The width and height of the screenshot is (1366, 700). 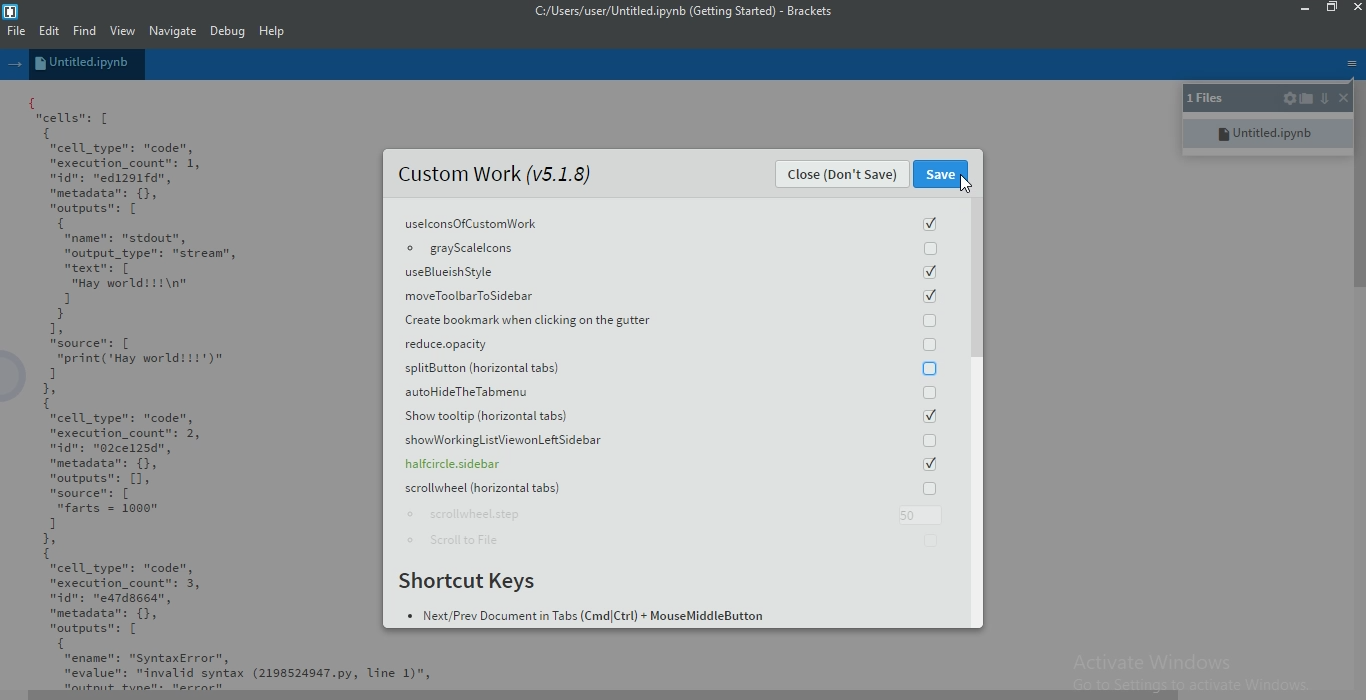 I want to click on scroll bar, so click(x=605, y=695).